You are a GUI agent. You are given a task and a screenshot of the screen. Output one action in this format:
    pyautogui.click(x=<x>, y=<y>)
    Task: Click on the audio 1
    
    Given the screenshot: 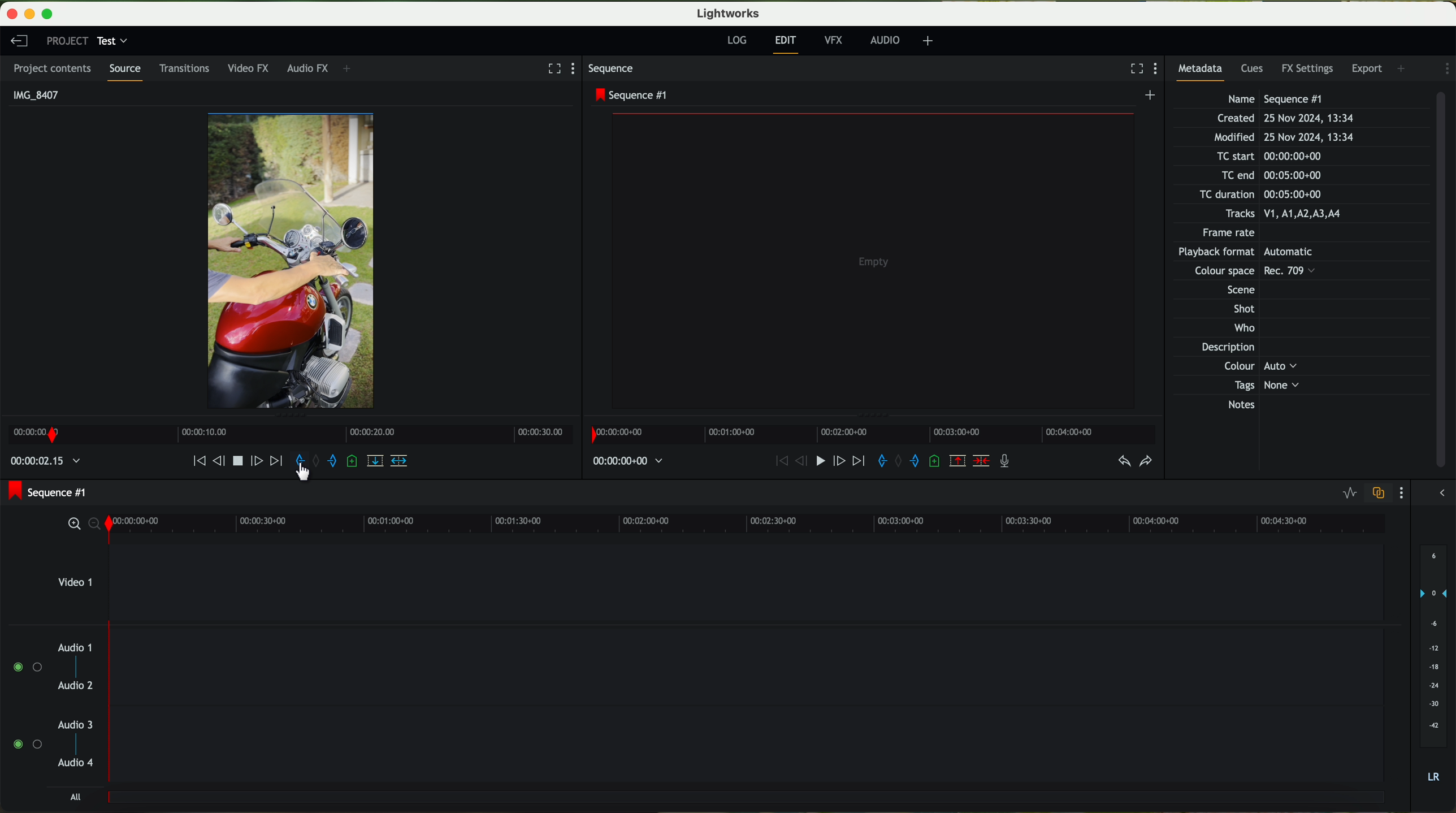 What is the action you would take?
    pyautogui.click(x=75, y=647)
    